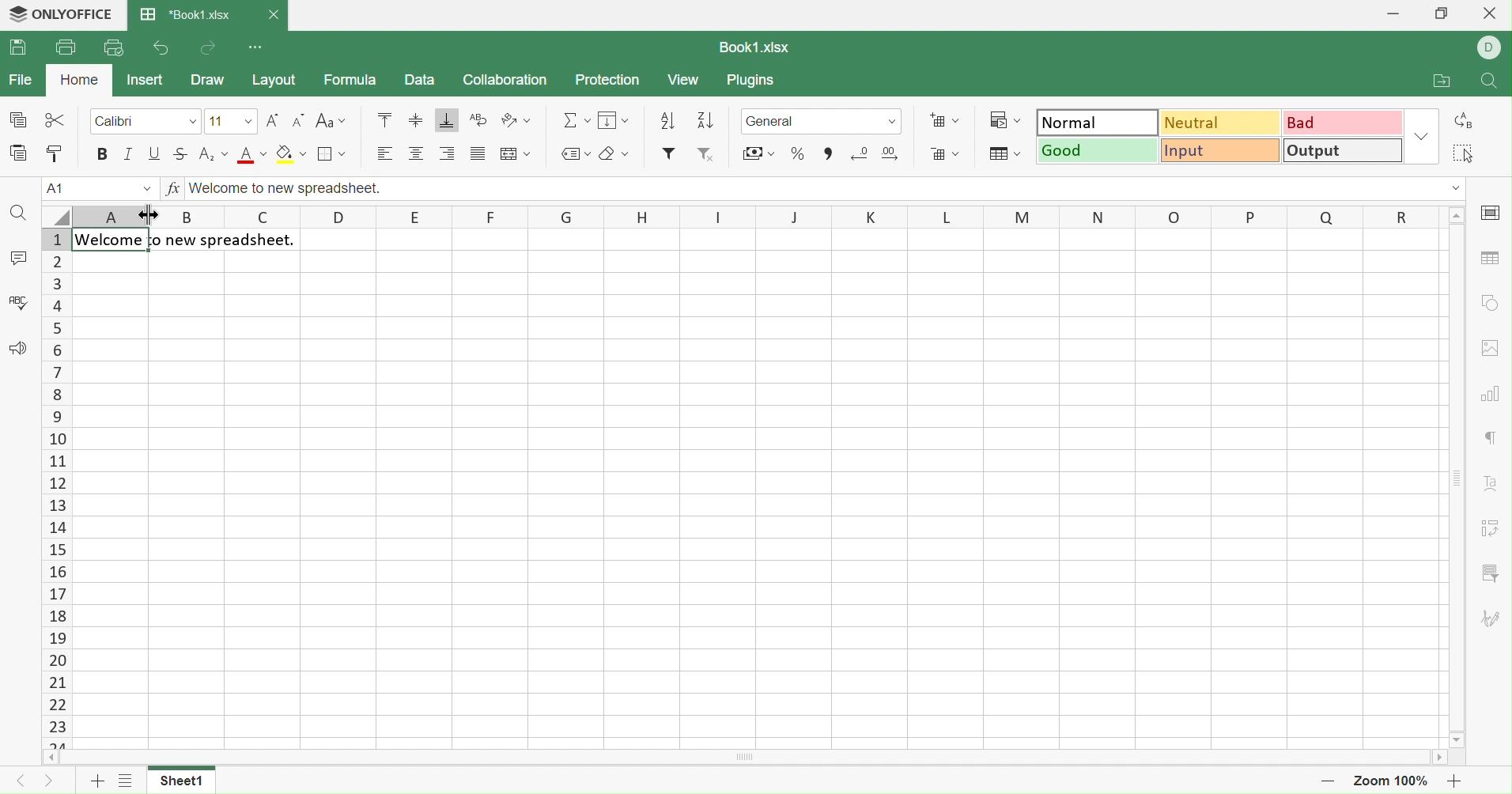 This screenshot has height=794, width=1512. I want to click on Comma style, so click(827, 153).